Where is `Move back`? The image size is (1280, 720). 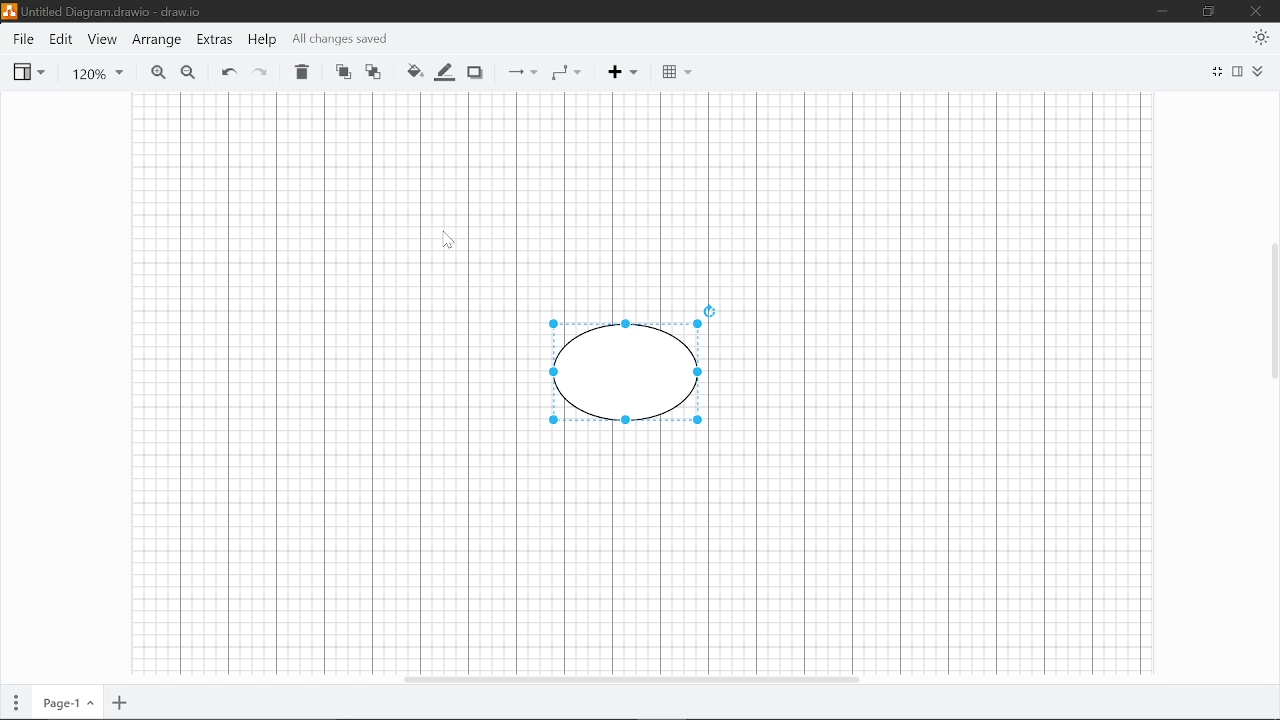
Move back is located at coordinates (372, 71).